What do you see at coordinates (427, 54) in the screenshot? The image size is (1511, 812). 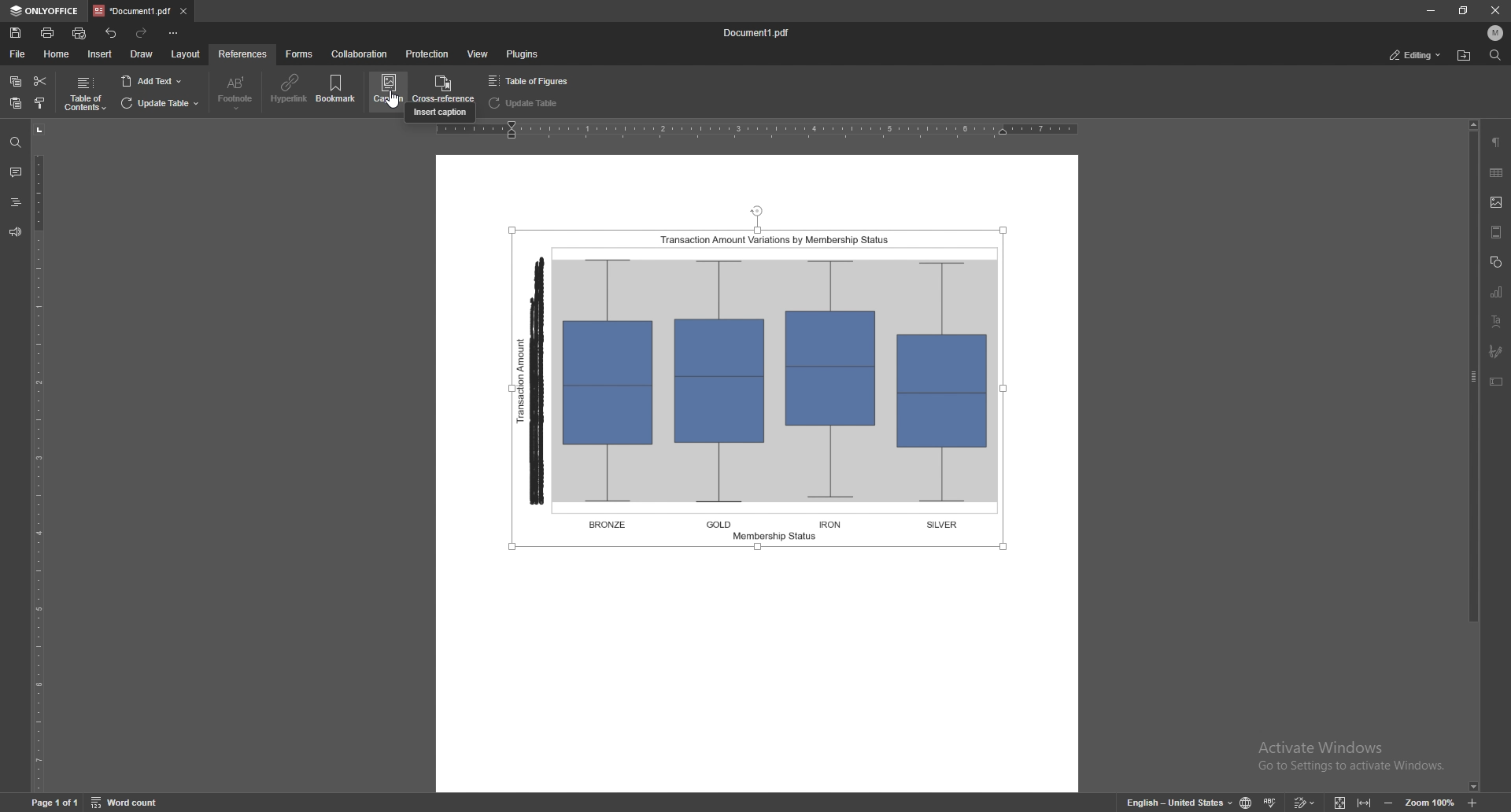 I see `protection` at bounding box center [427, 54].